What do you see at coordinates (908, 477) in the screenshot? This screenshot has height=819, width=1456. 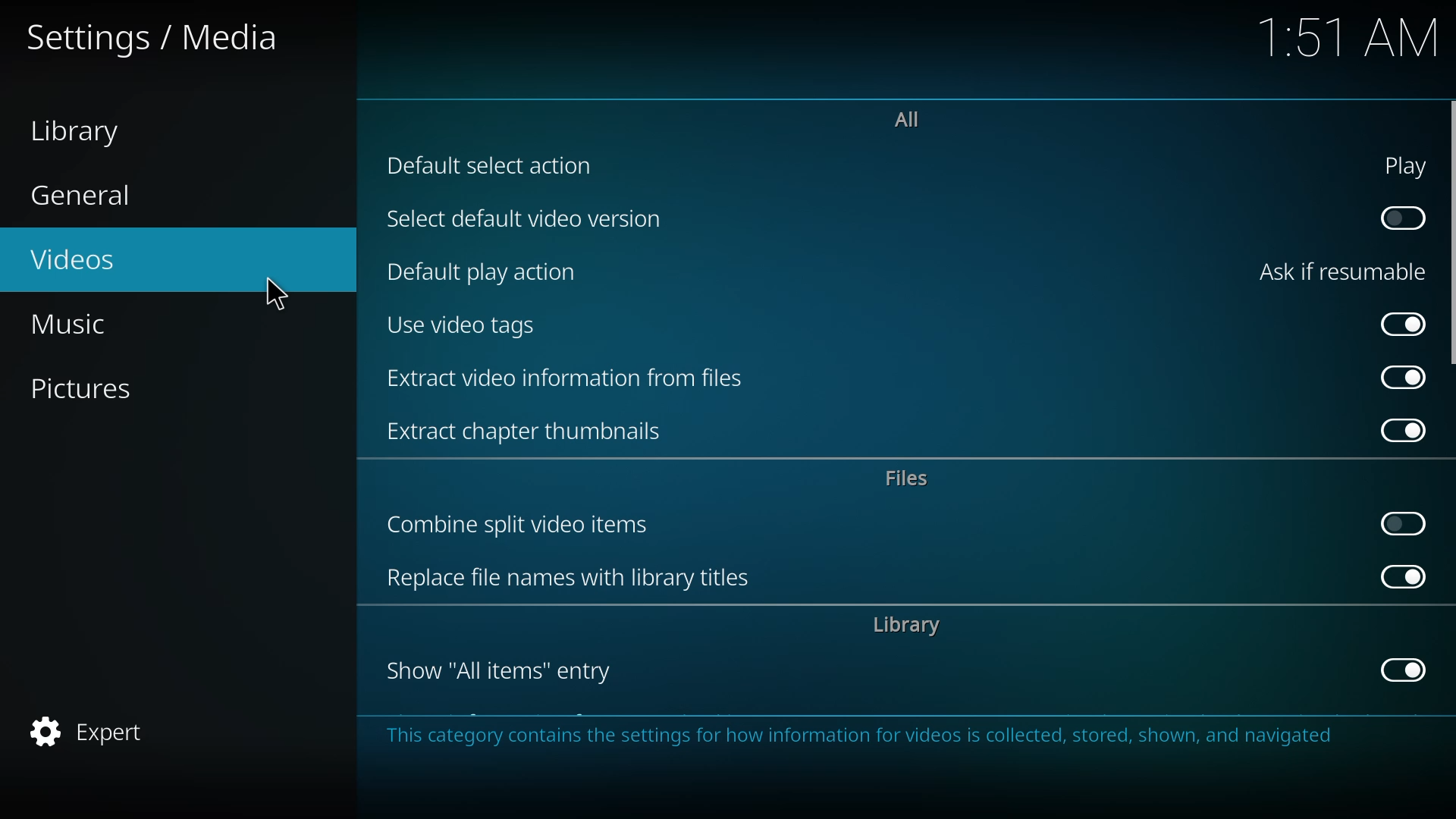 I see `files` at bounding box center [908, 477].